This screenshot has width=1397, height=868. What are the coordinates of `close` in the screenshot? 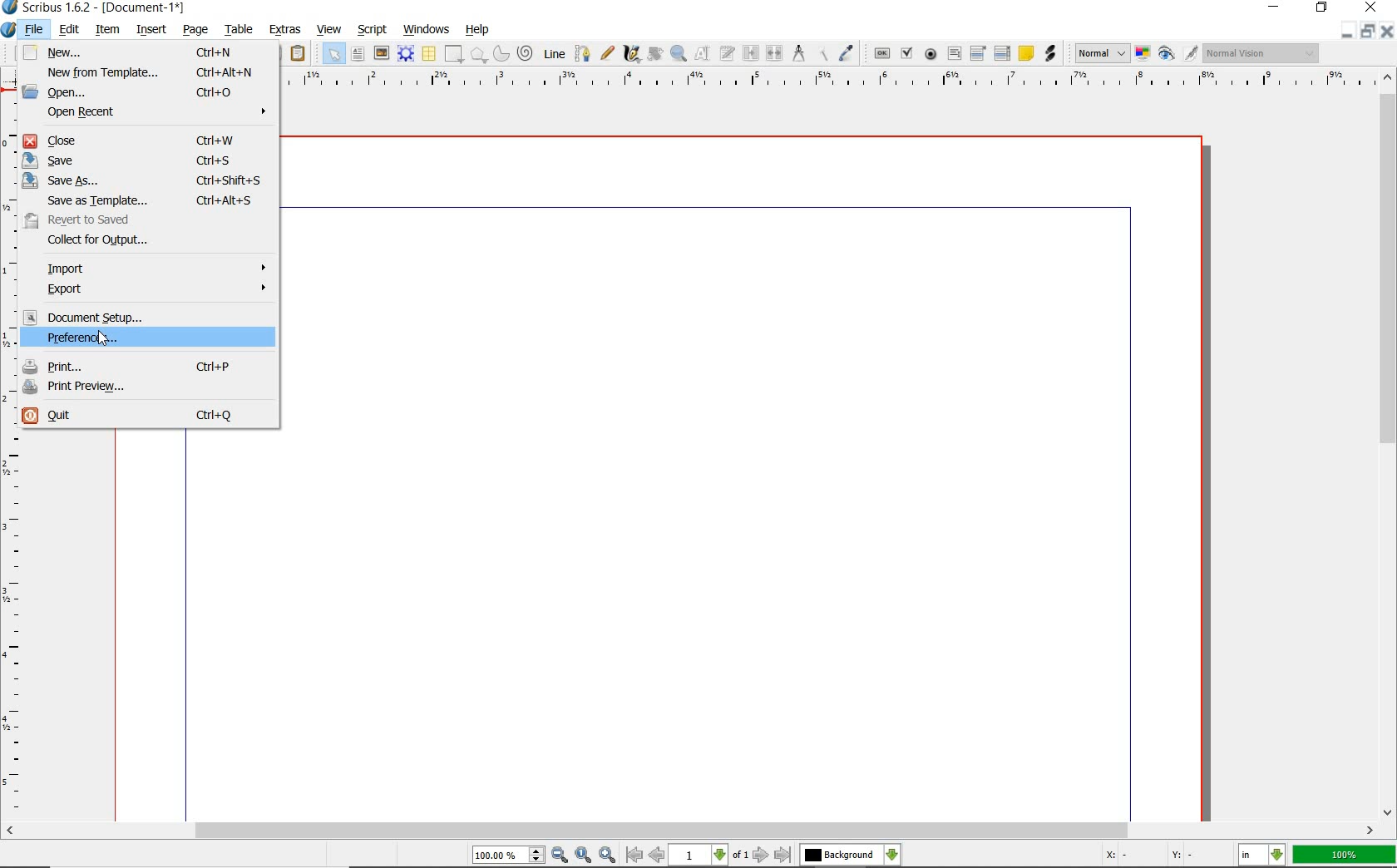 It's located at (1371, 8).